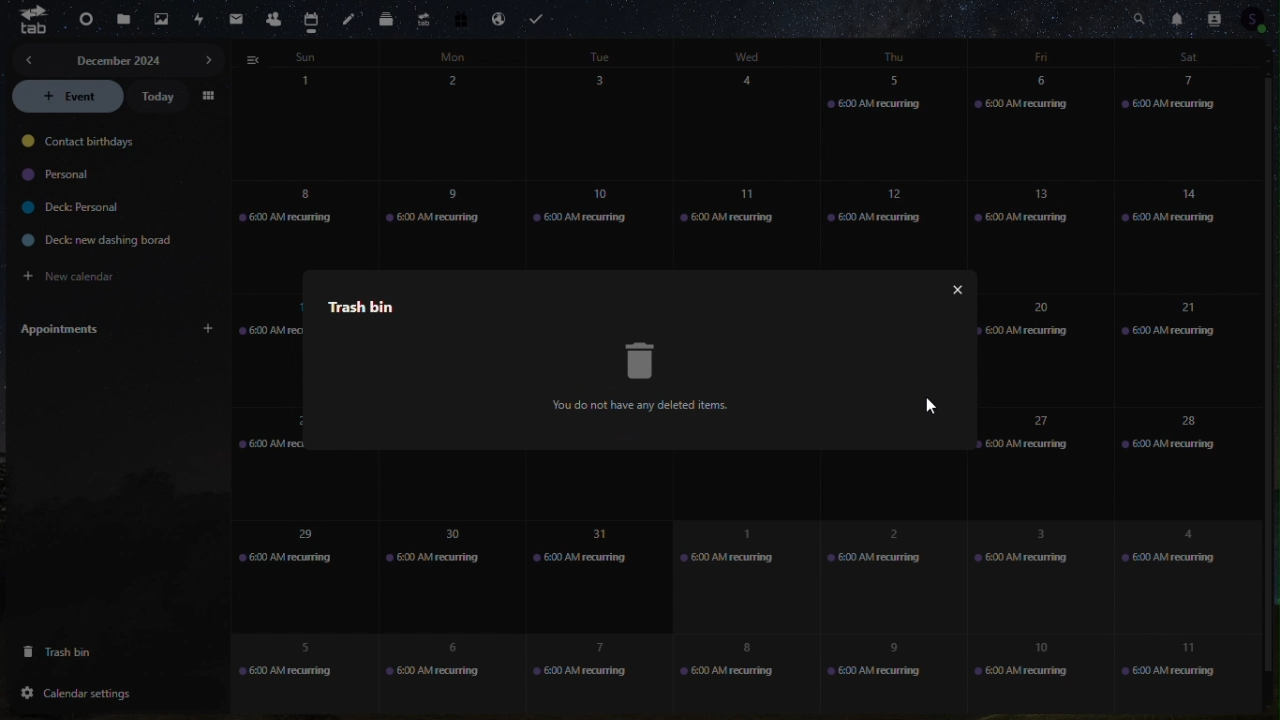 This screenshot has height=720, width=1280. What do you see at coordinates (895, 122) in the screenshot?
I see `5` at bounding box center [895, 122].